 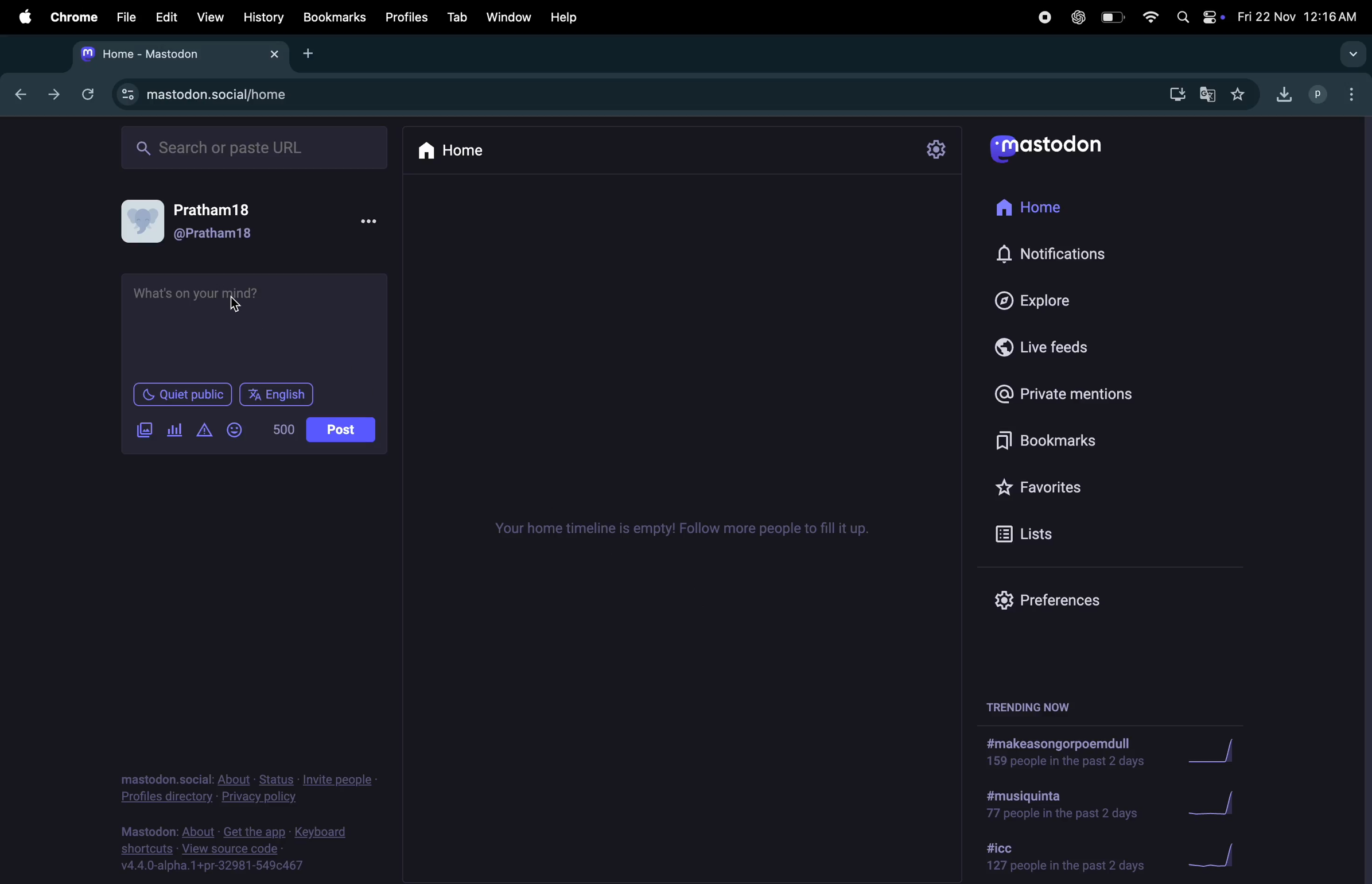 What do you see at coordinates (1217, 802) in the screenshot?
I see `graph` at bounding box center [1217, 802].